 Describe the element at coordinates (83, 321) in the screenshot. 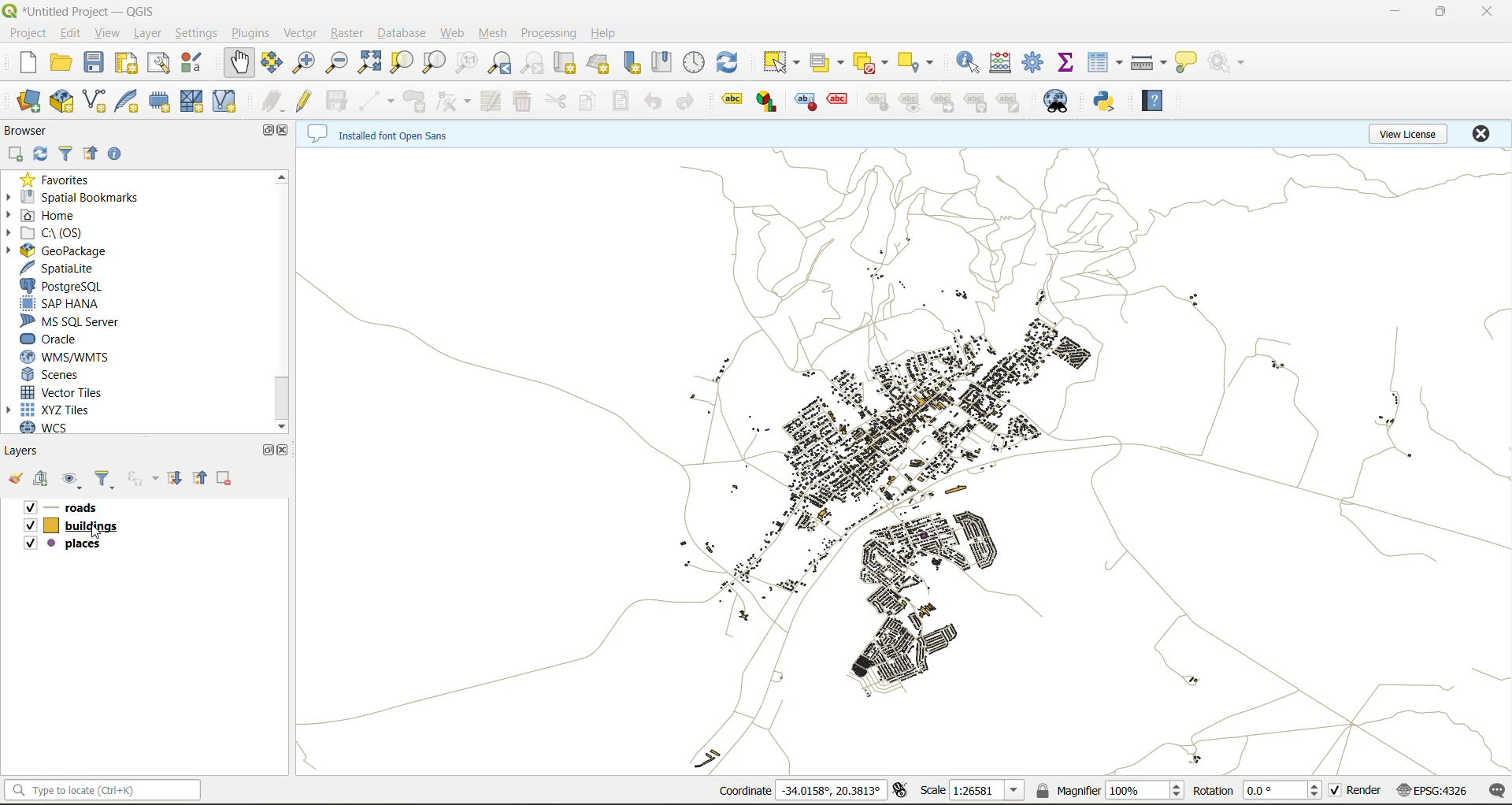

I see `ms sql server` at that location.